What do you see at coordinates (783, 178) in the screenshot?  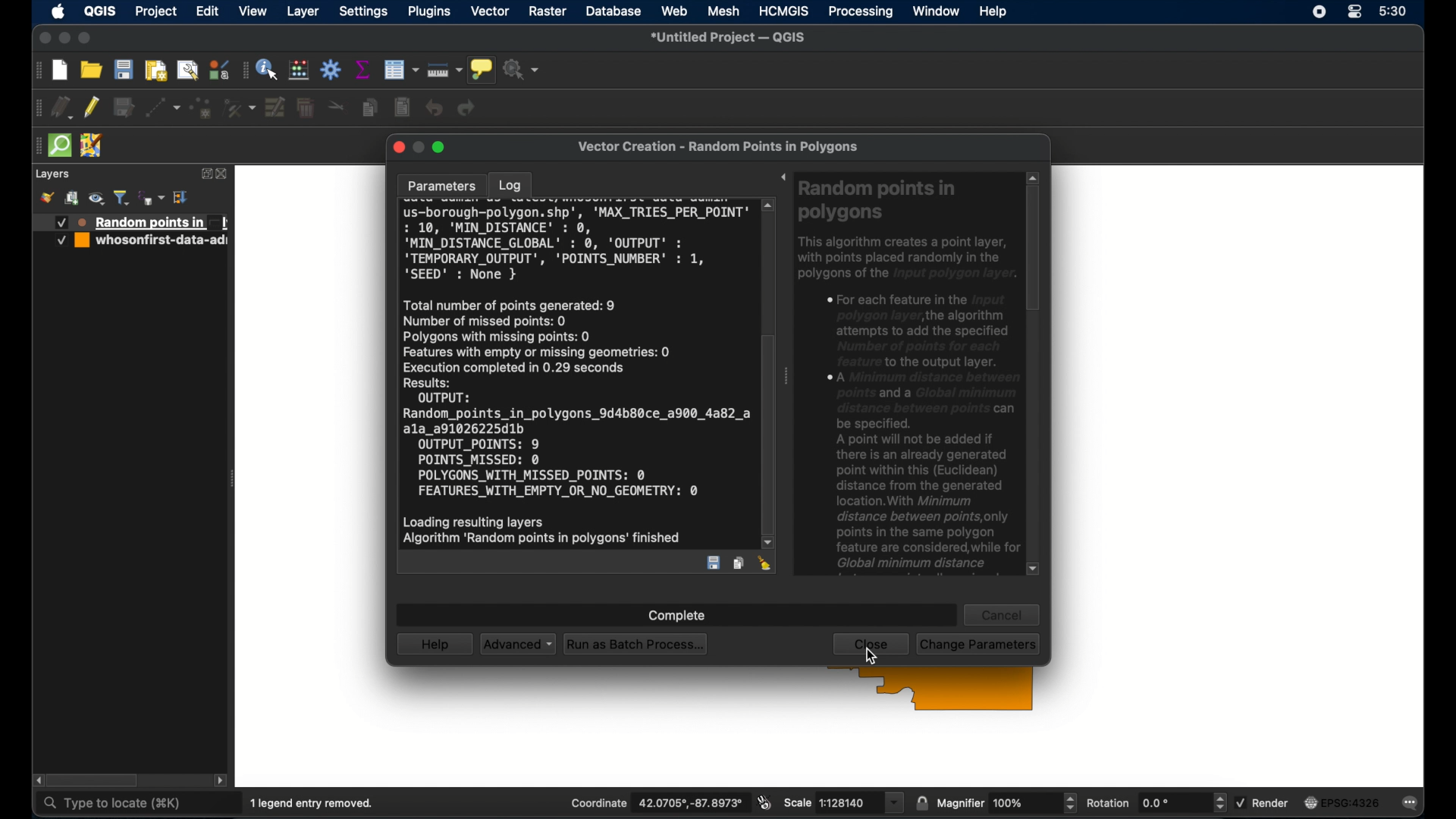 I see `expand` at bounding box center [783, 178].